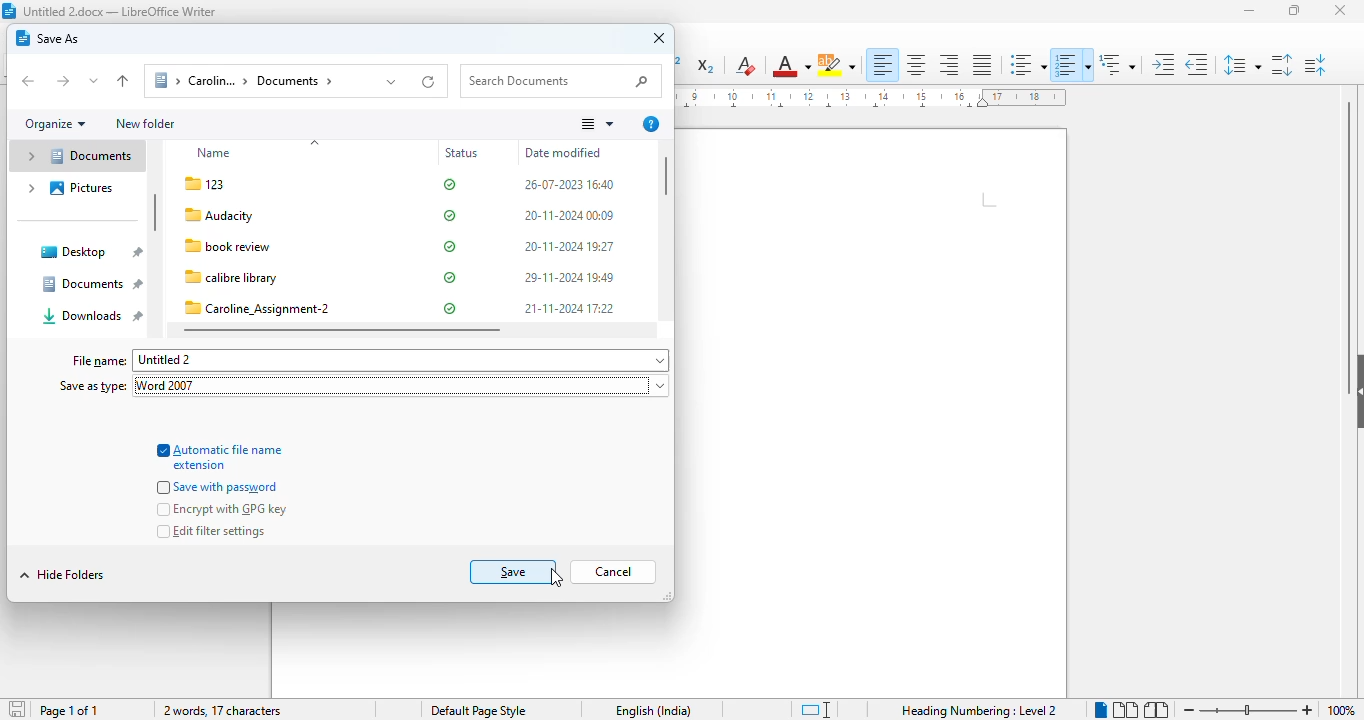  Describe the element at coordinates (1026, 65) in the screenshot. I see `toggle unordered list` at that location.